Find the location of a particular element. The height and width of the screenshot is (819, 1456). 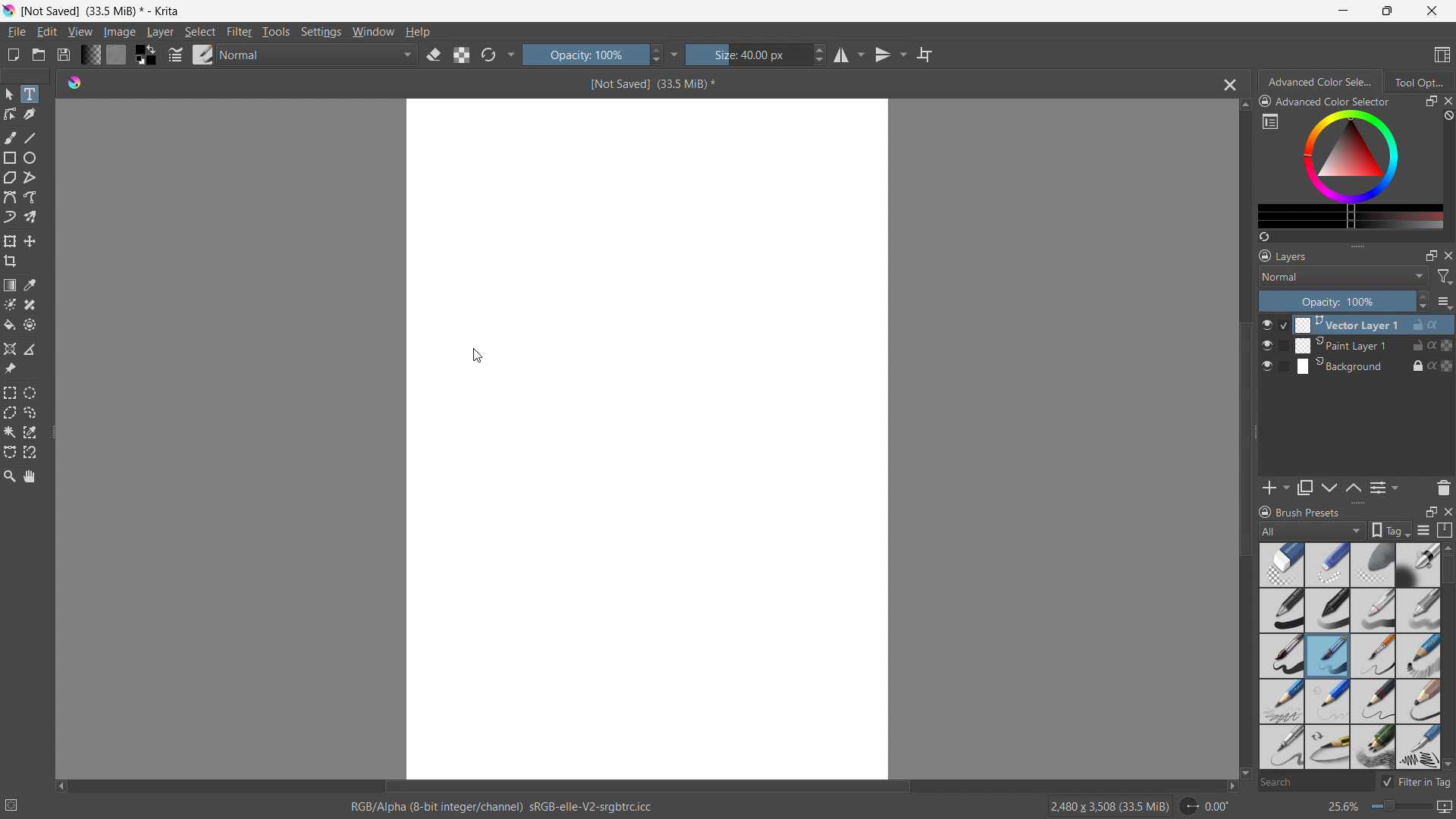

blending mode is located at coordinates (1344, 276).